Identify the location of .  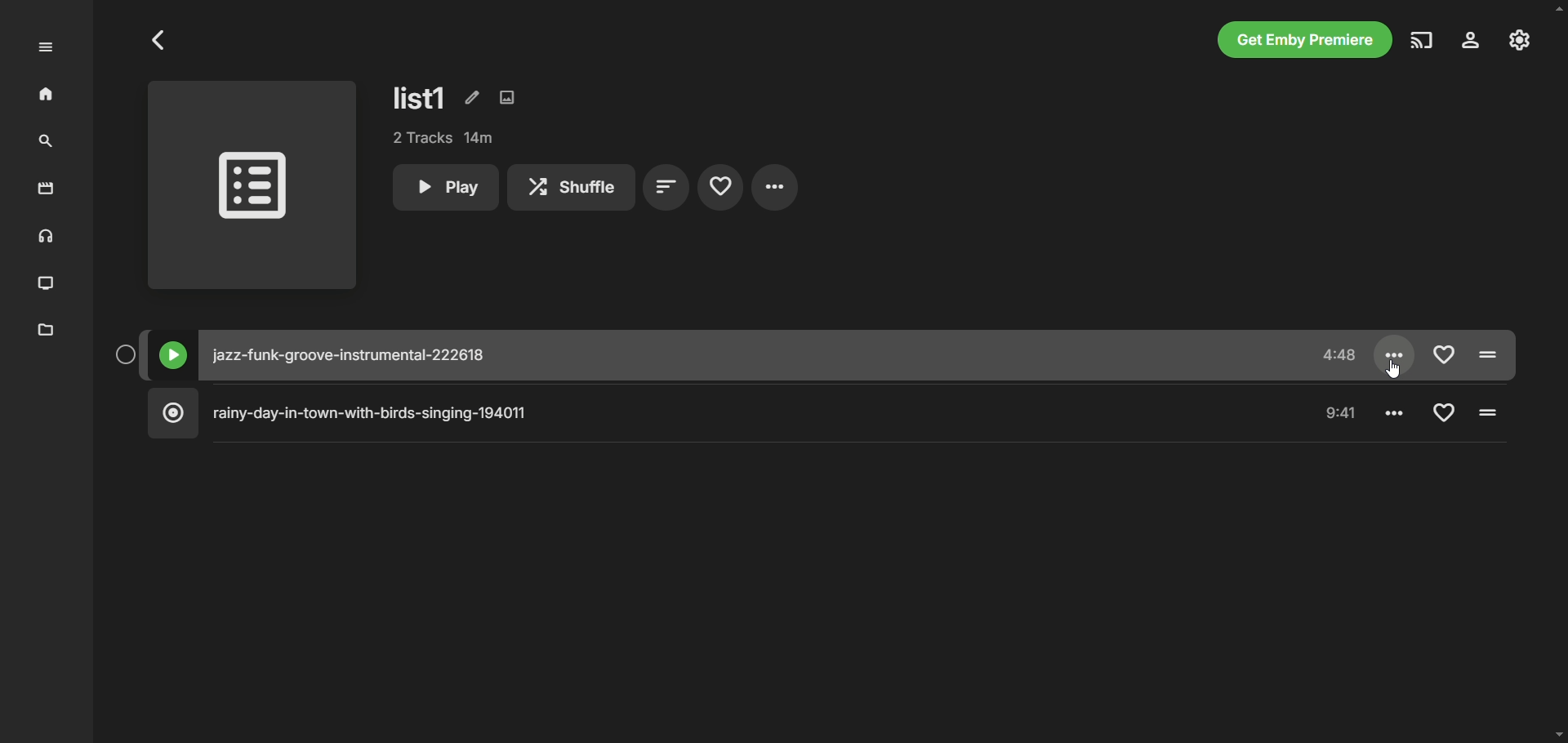
(1394, 354).